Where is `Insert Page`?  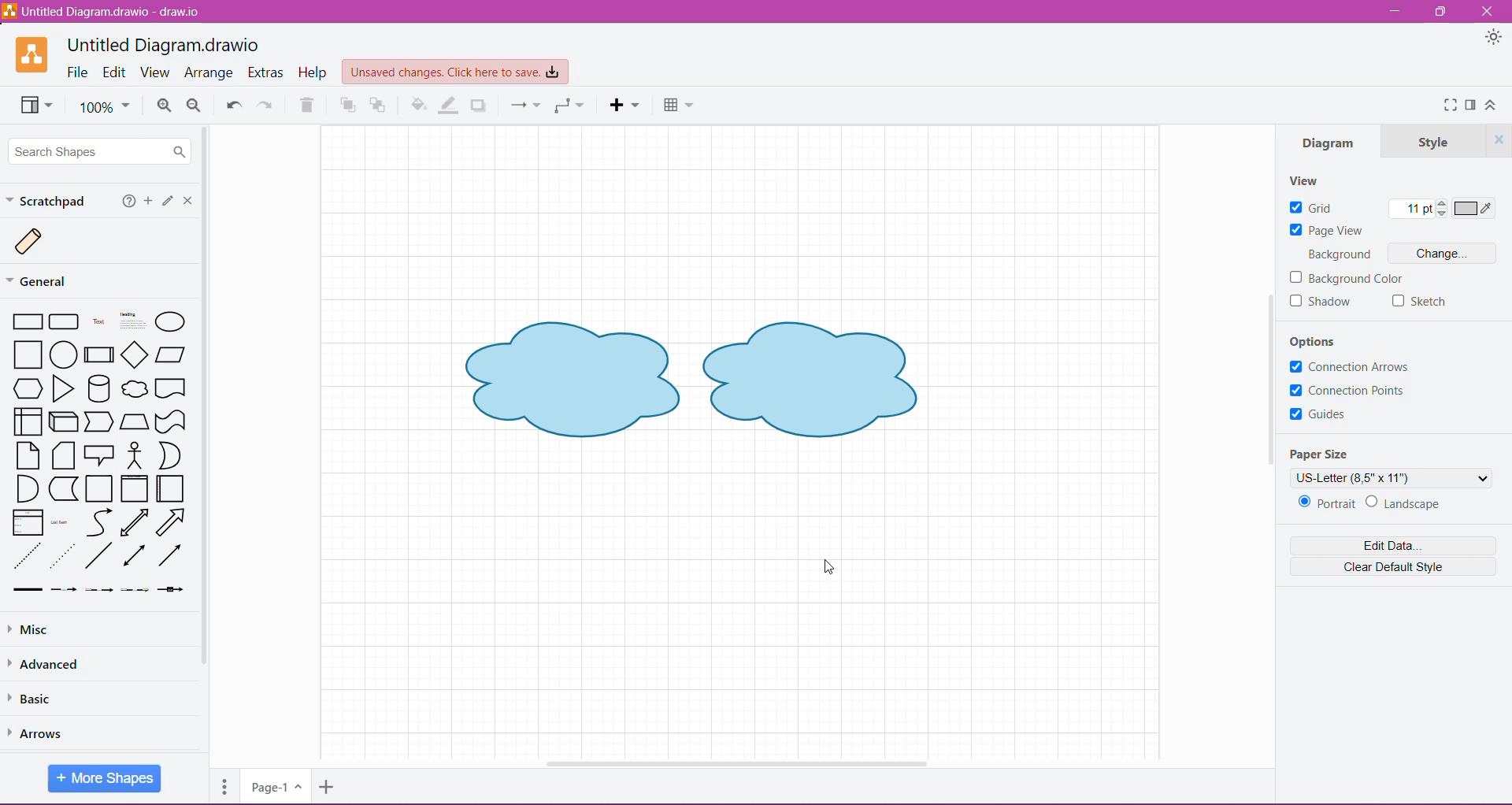
Insert Page is located at coordinates (329, 786).